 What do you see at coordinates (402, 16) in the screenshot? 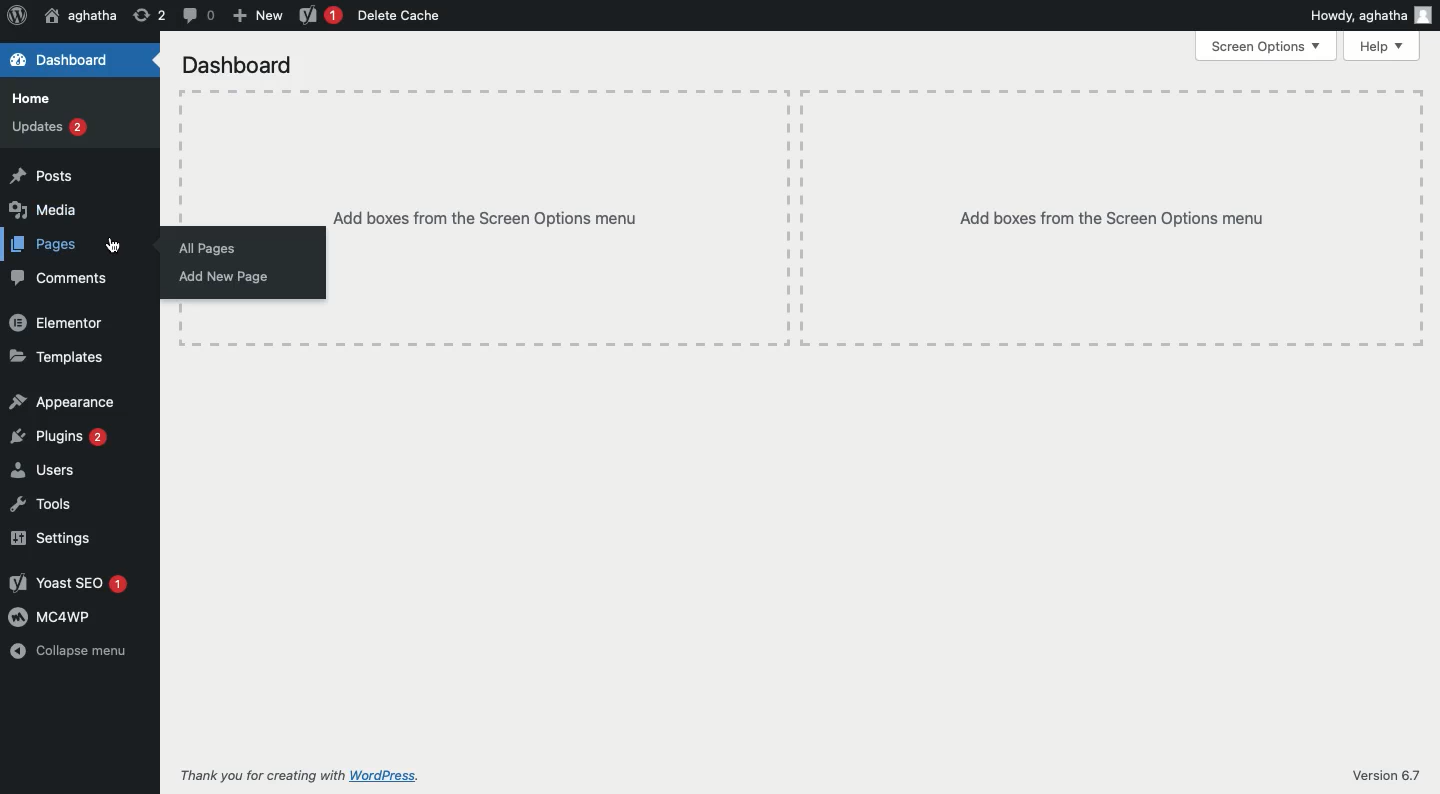
I see `Delete cache` at bounding box center [402, 16].